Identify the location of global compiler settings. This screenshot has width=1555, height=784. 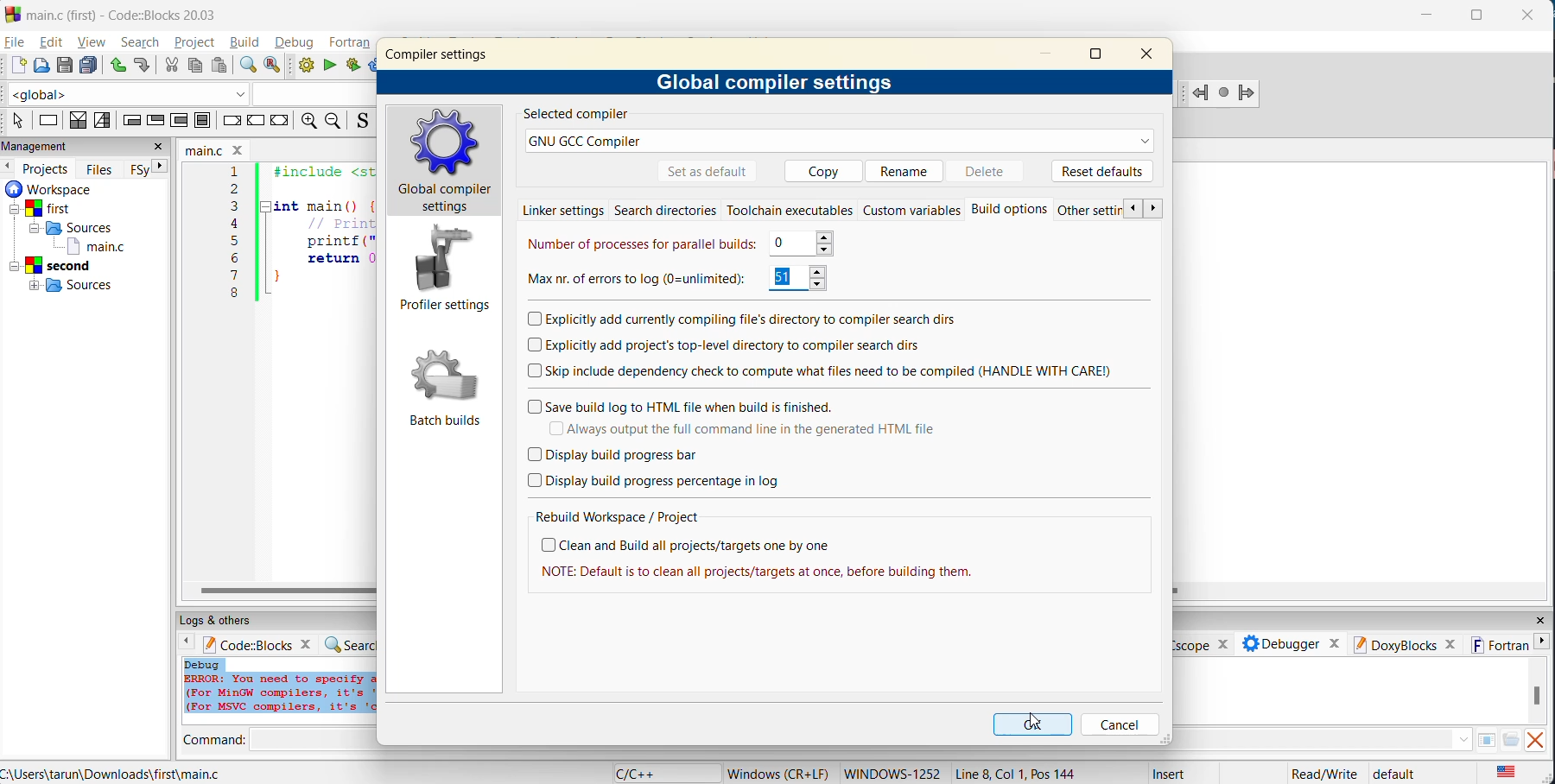
(775, 80).